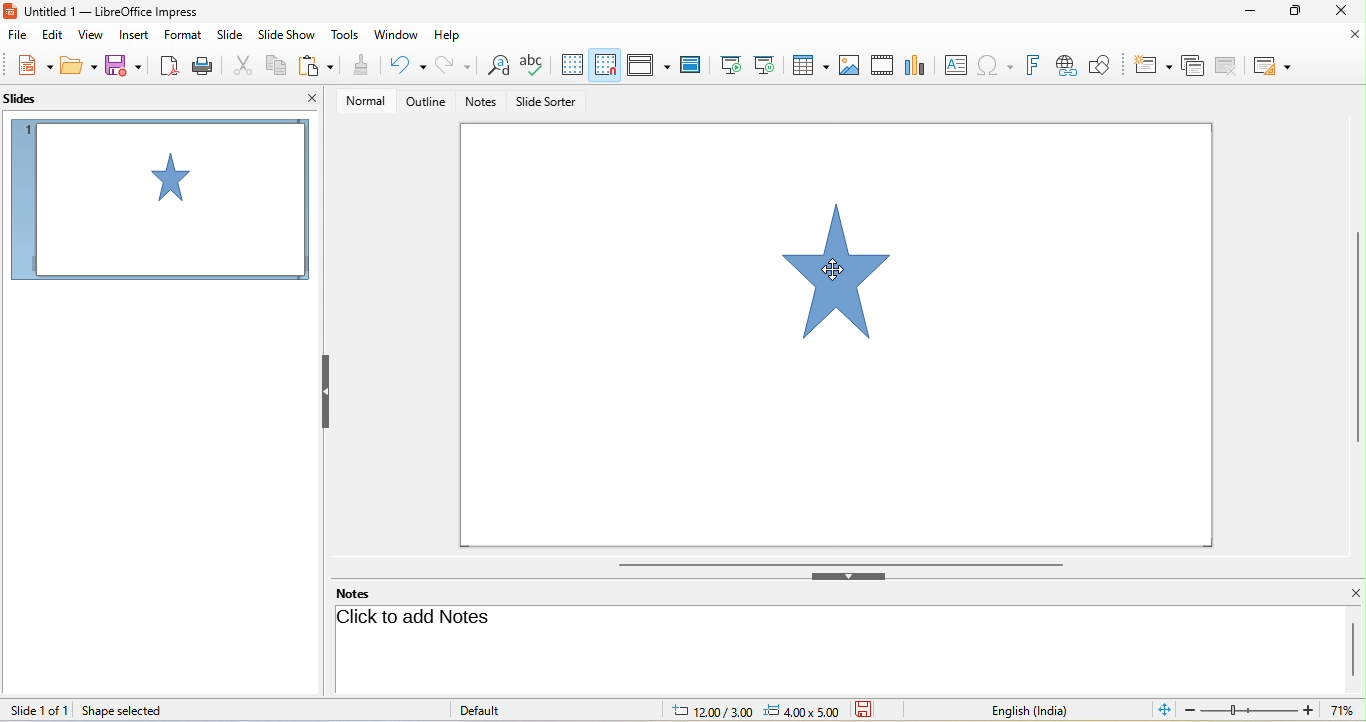 This screenshot has width=1366, height=722. I want to click on slide sorter, so click(554, 103).